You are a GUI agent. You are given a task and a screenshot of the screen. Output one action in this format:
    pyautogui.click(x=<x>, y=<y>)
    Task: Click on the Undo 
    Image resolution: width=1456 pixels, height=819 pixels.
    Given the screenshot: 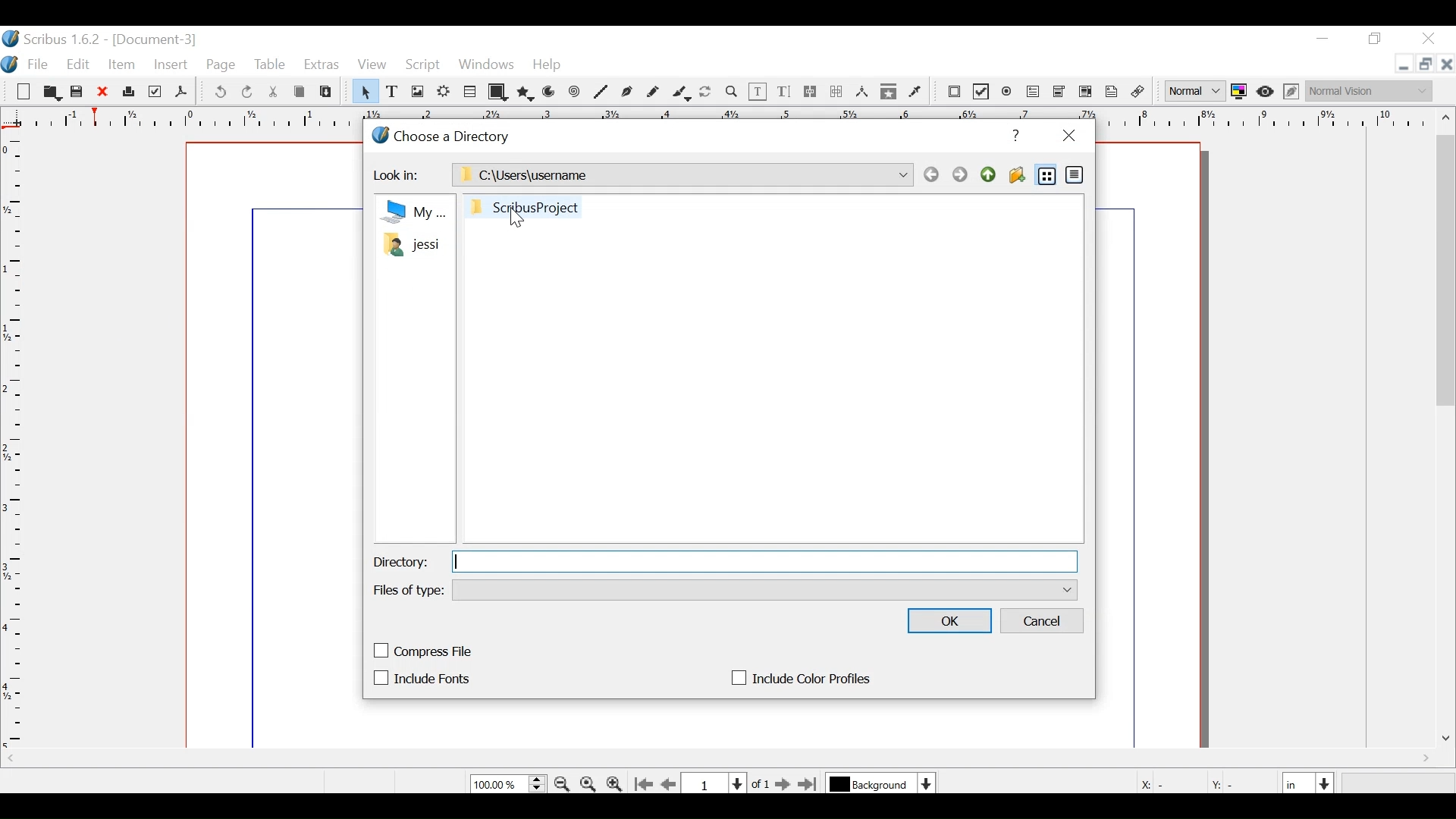 What is the action you would take?
    pyautogui.click(x=221, y=93)
    